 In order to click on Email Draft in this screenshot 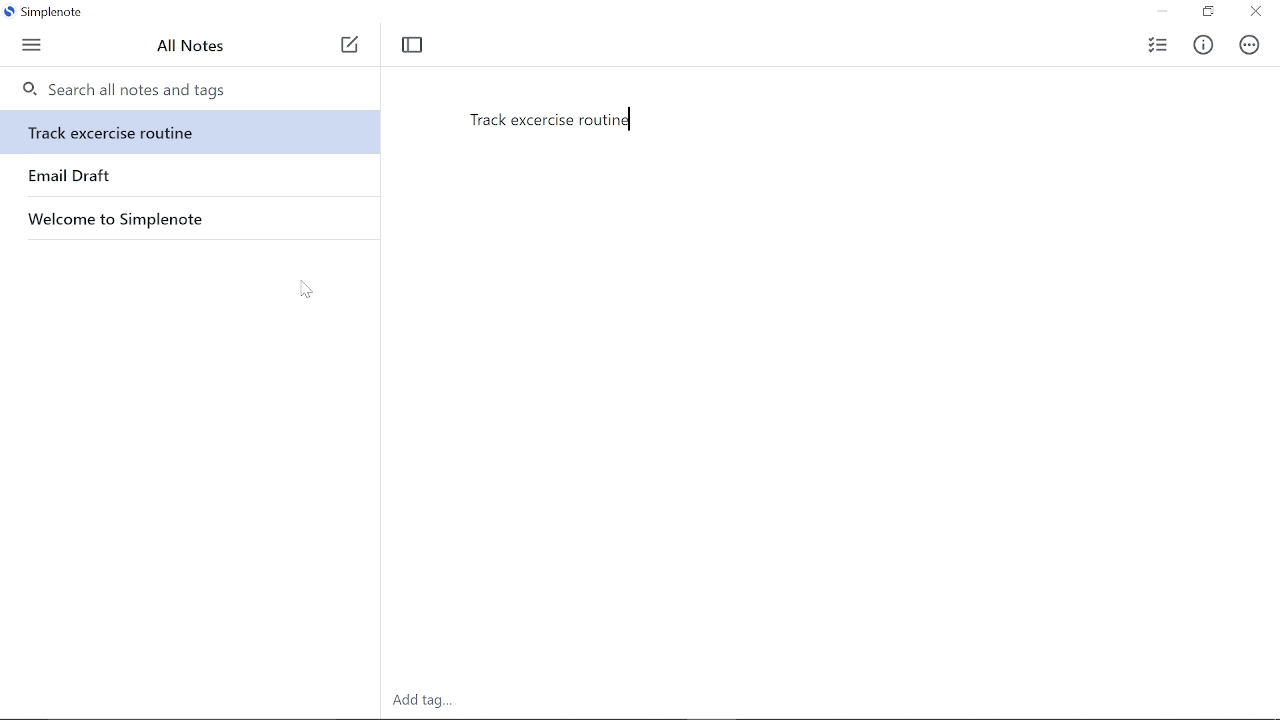, I will do `click(70, 177)`.